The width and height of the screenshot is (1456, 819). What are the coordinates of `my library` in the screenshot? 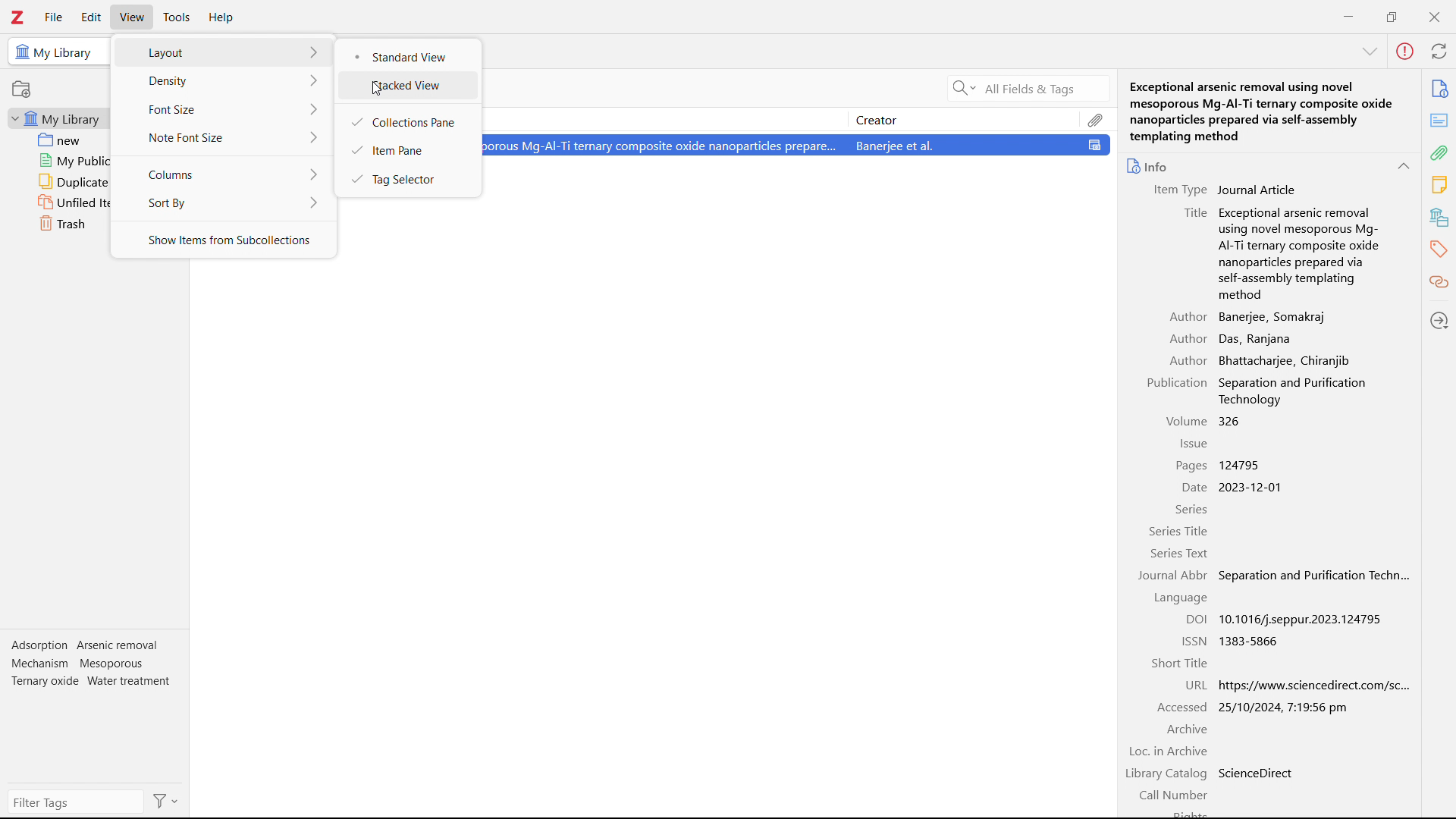 It's located at (57, 119).